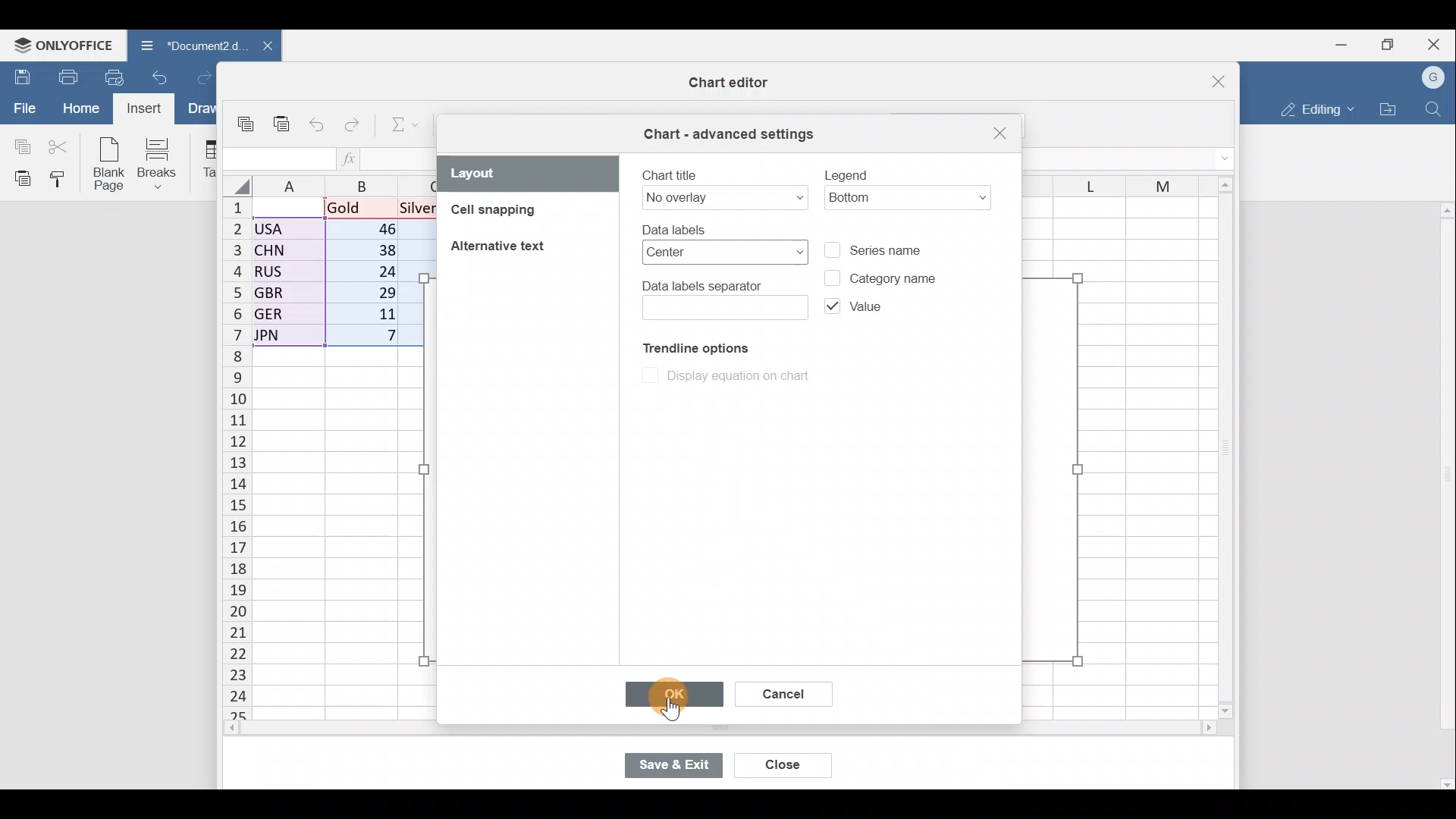 This screenshot has width=1456, height=819. I want to click on Display equation on chart, so click(730, 378).